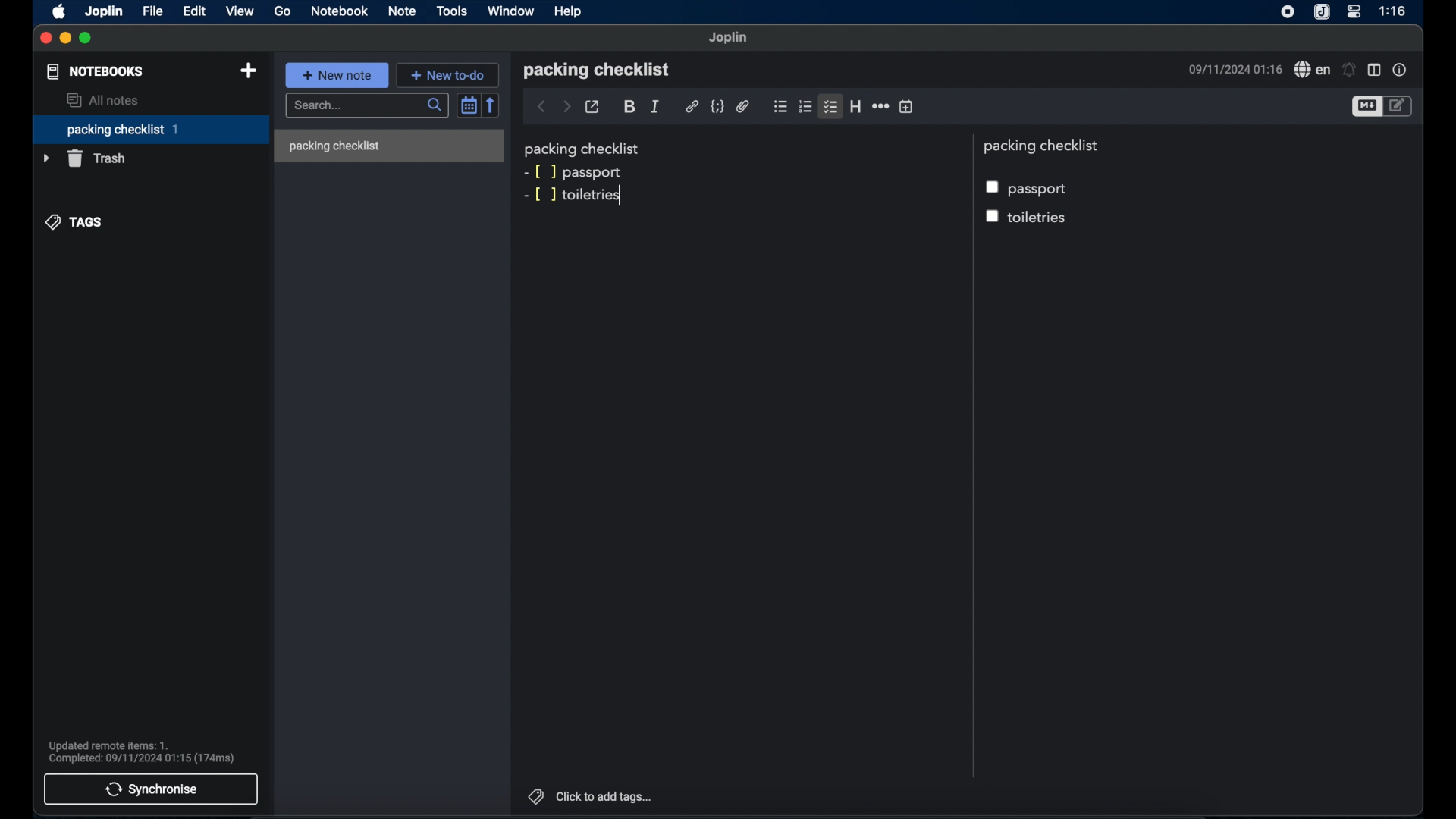 The width and height of the screenshot is (1456, 819). What do you see at coordinates (583, 149) in the screenshot?
I see `packing checklist` at bounding box center [583, 149].